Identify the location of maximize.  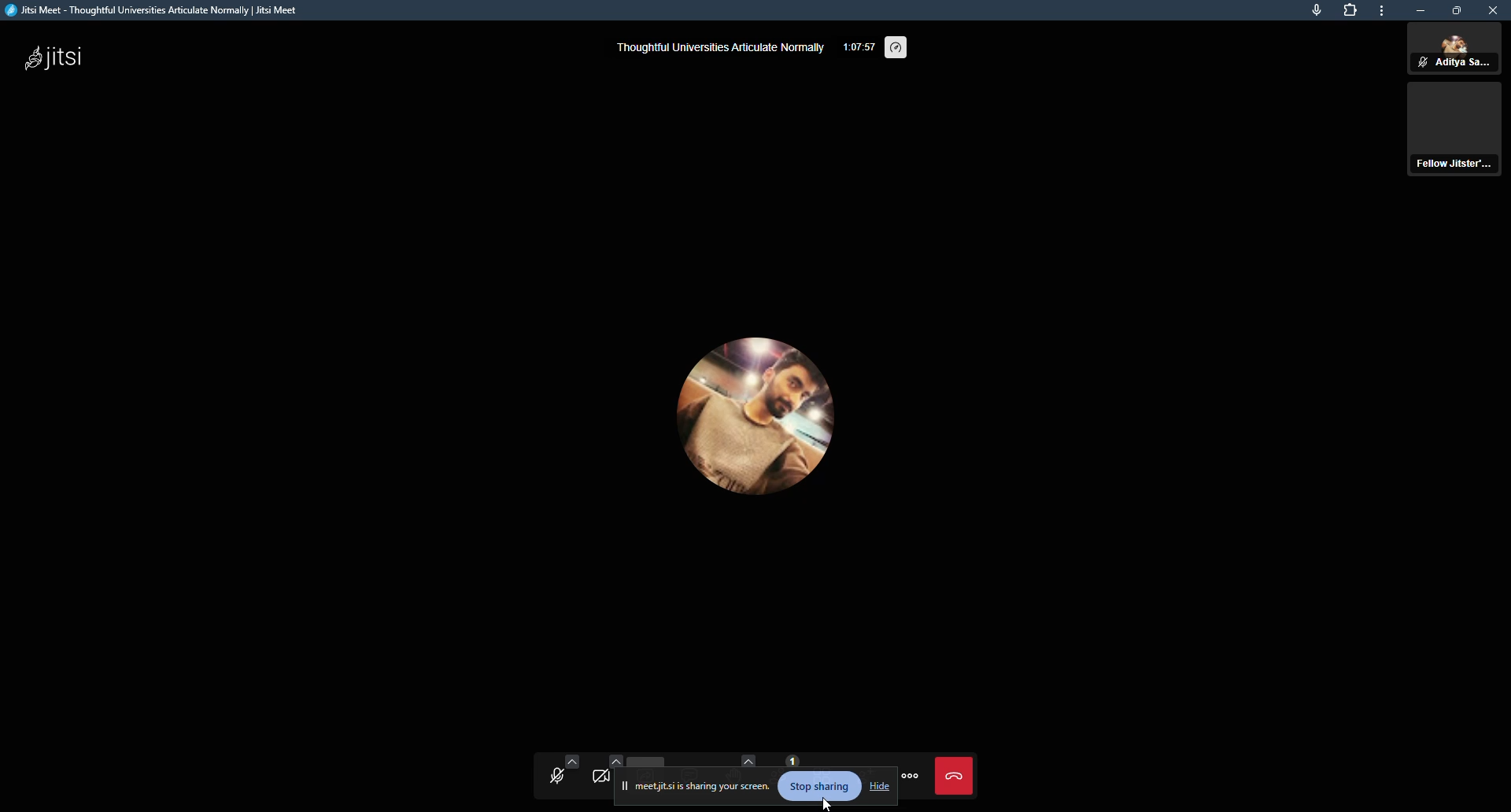
(1457, 10).